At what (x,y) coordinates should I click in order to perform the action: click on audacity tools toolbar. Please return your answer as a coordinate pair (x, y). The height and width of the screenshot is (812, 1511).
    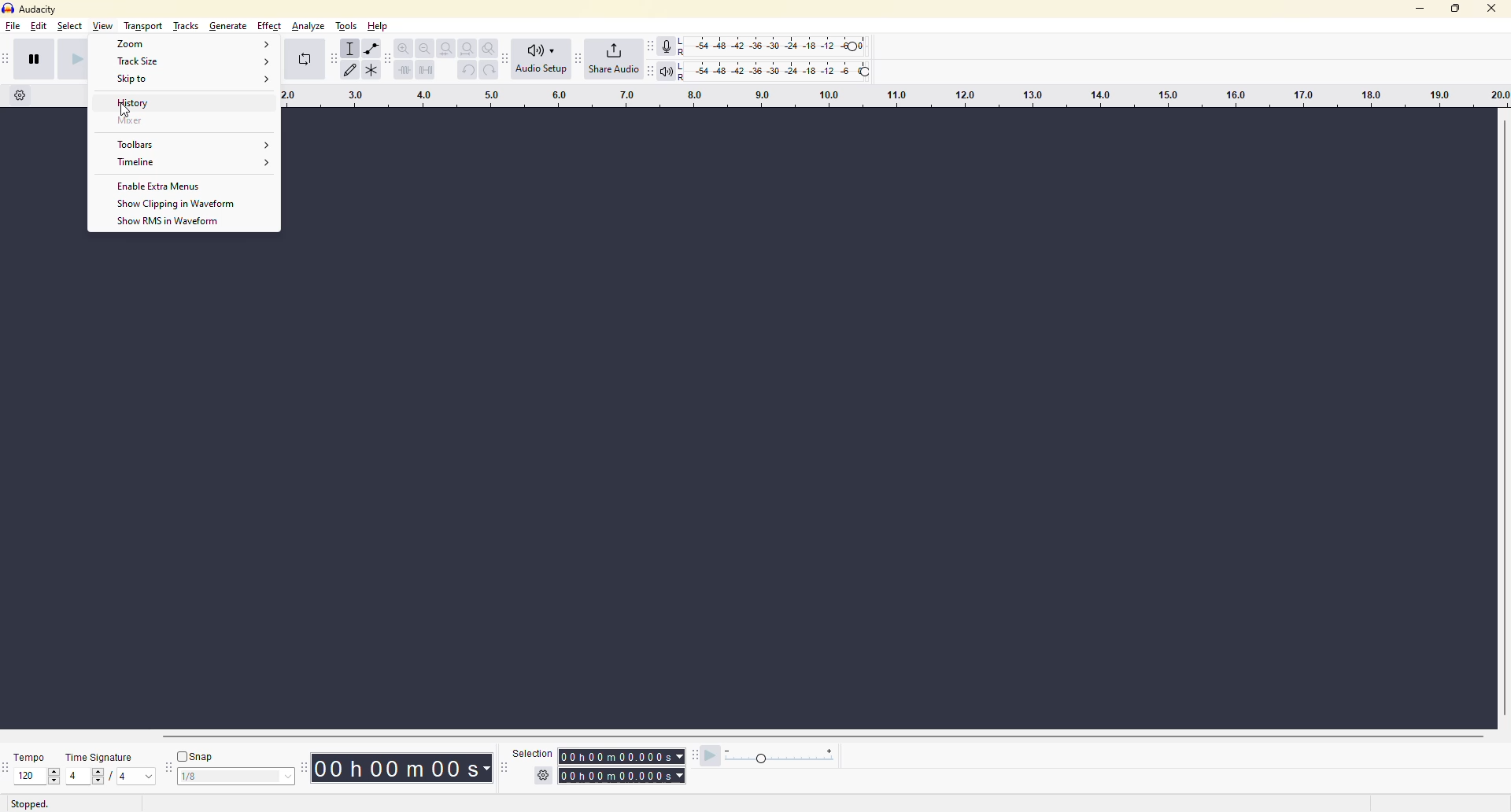
    Looking at the image, I should click on (333, 61).